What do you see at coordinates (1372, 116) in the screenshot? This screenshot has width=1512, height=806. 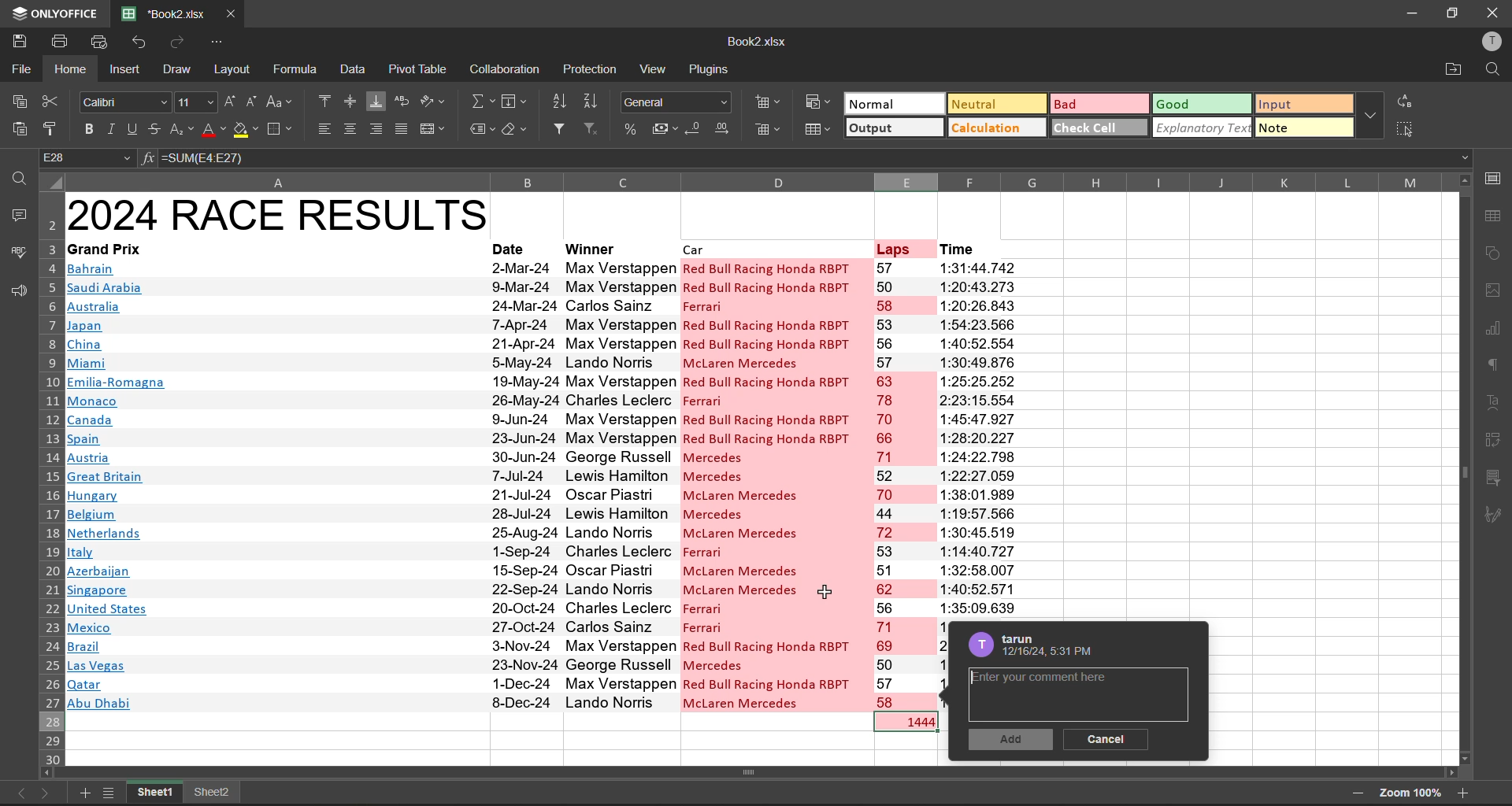 I see `more options` at bounding box center [1372, 116].